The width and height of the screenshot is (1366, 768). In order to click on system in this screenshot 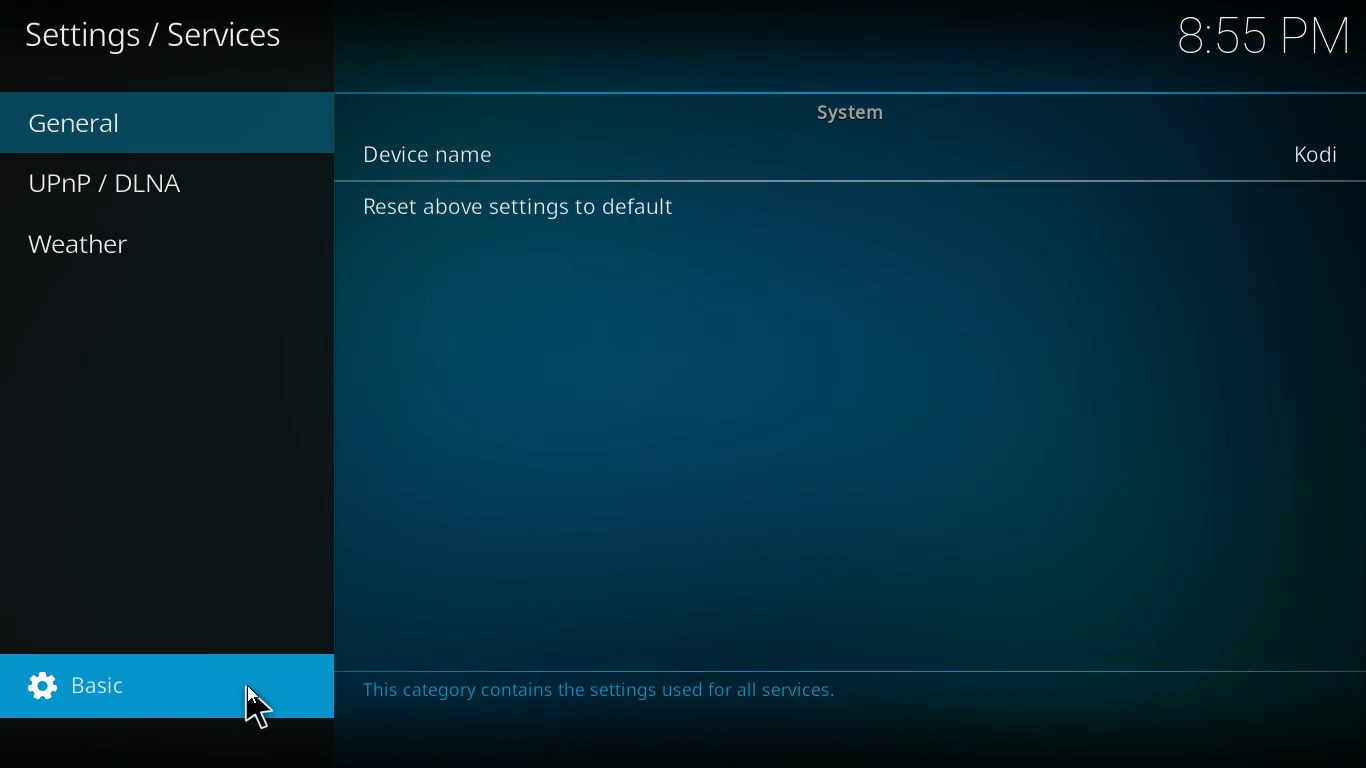, I will do `click(862, 111)`.